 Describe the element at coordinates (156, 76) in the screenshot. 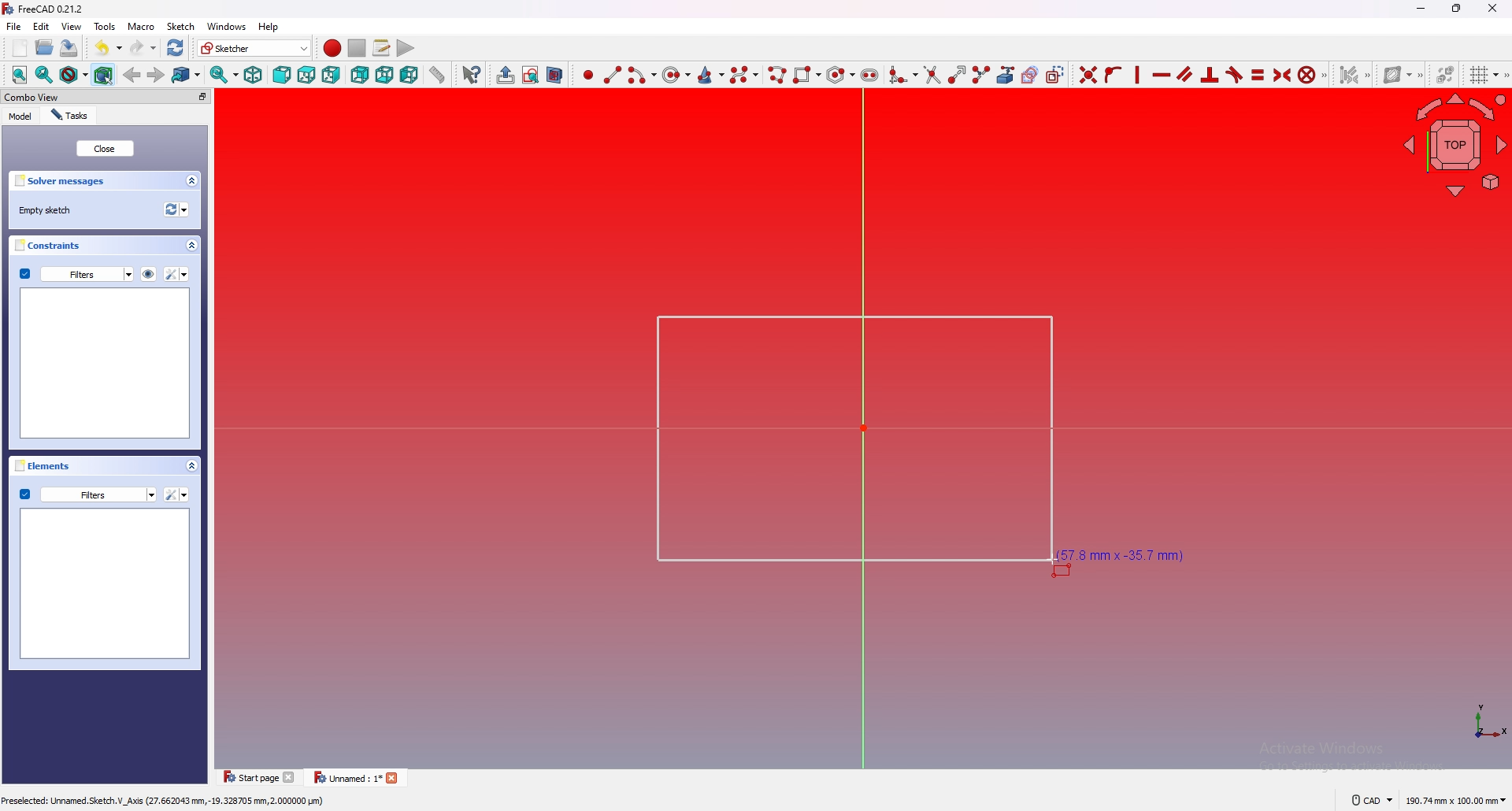

I see `forward` at that location.